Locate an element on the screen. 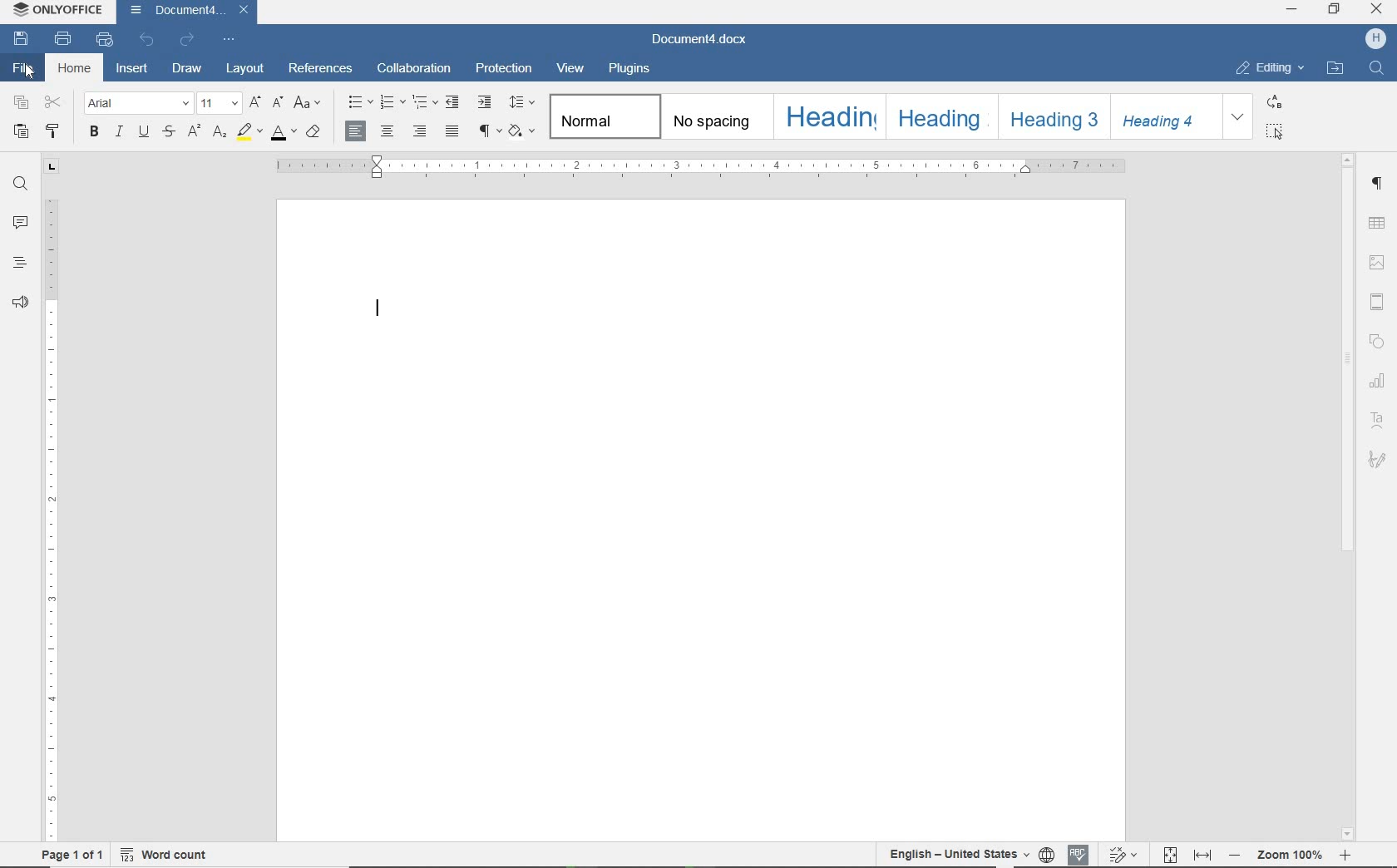 The height and width of the screenshot is (868, 1397). superscript is located at coordinates (192, 131).